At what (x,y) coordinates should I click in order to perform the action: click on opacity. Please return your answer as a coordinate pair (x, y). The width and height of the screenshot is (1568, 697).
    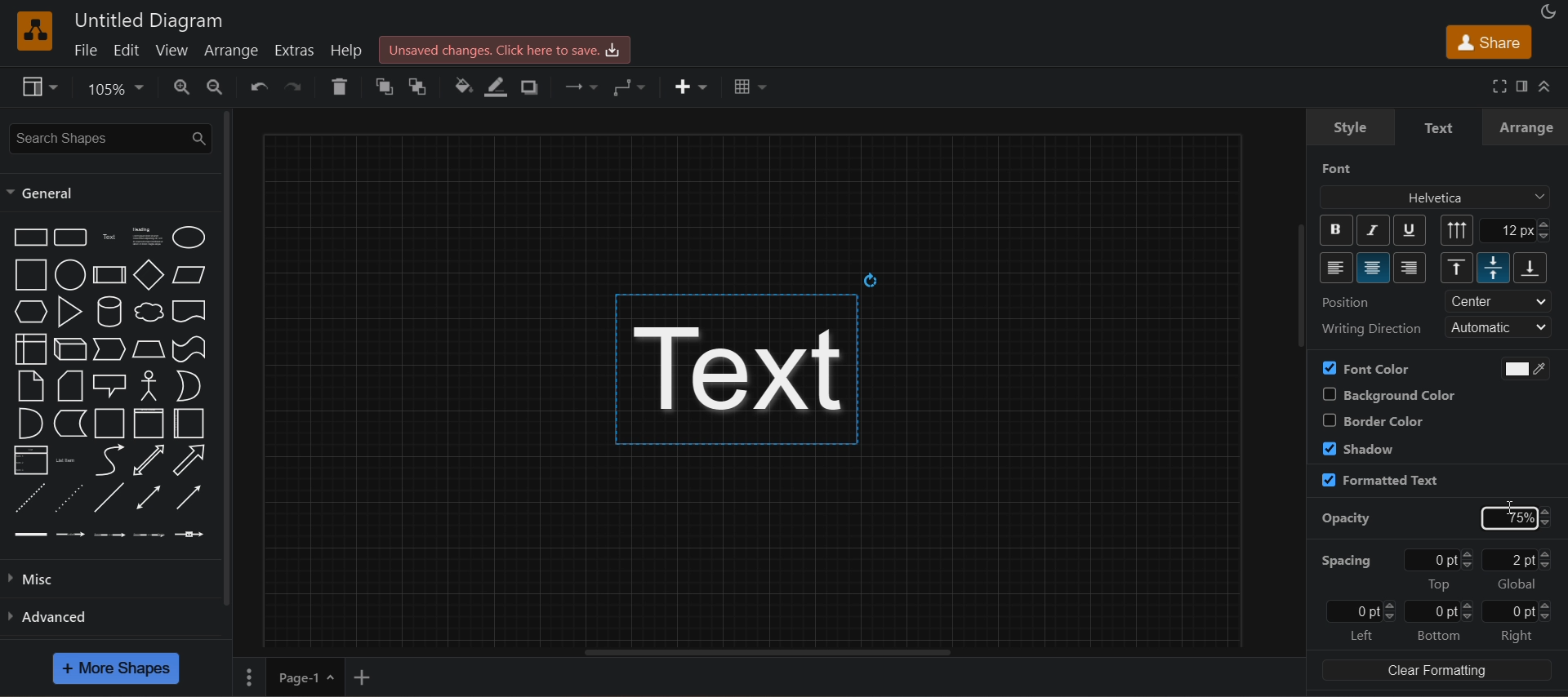
    Looking at the image, I should click on (1347, 519).